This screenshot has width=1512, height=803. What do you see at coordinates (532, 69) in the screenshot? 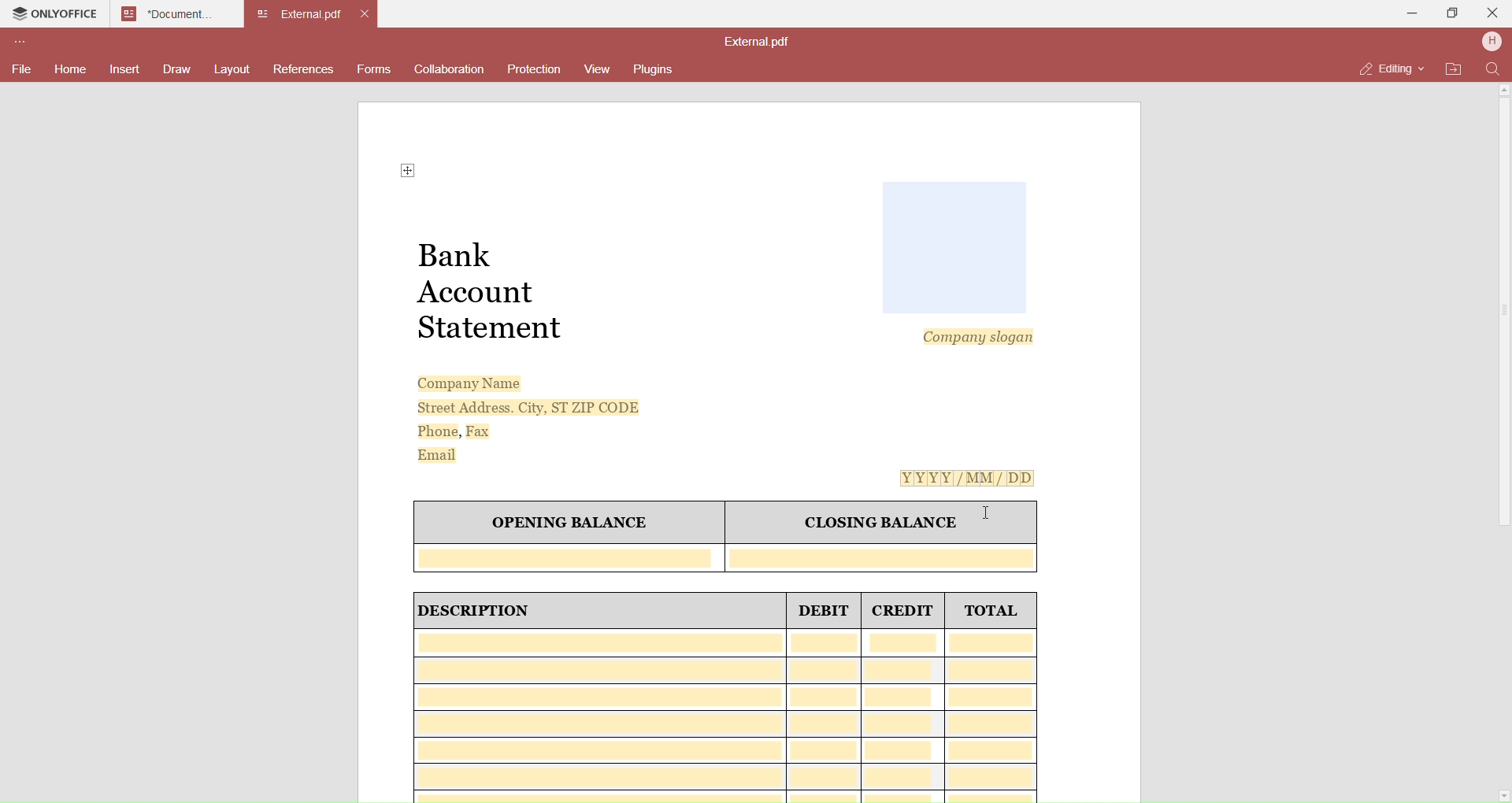
I see `Protection` at bounding box center [532, 69].